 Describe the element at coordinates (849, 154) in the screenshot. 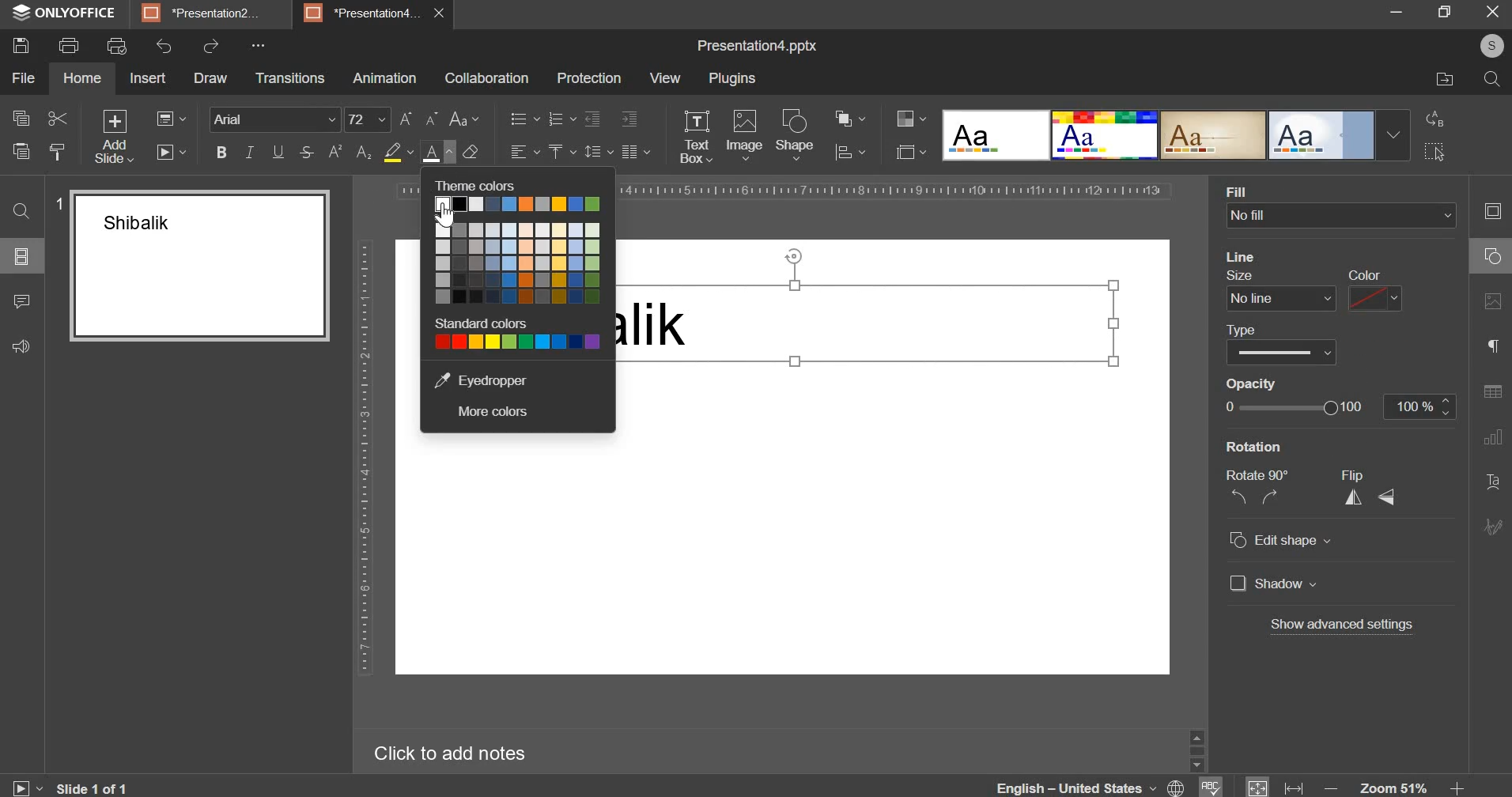

I see `align` at that location.